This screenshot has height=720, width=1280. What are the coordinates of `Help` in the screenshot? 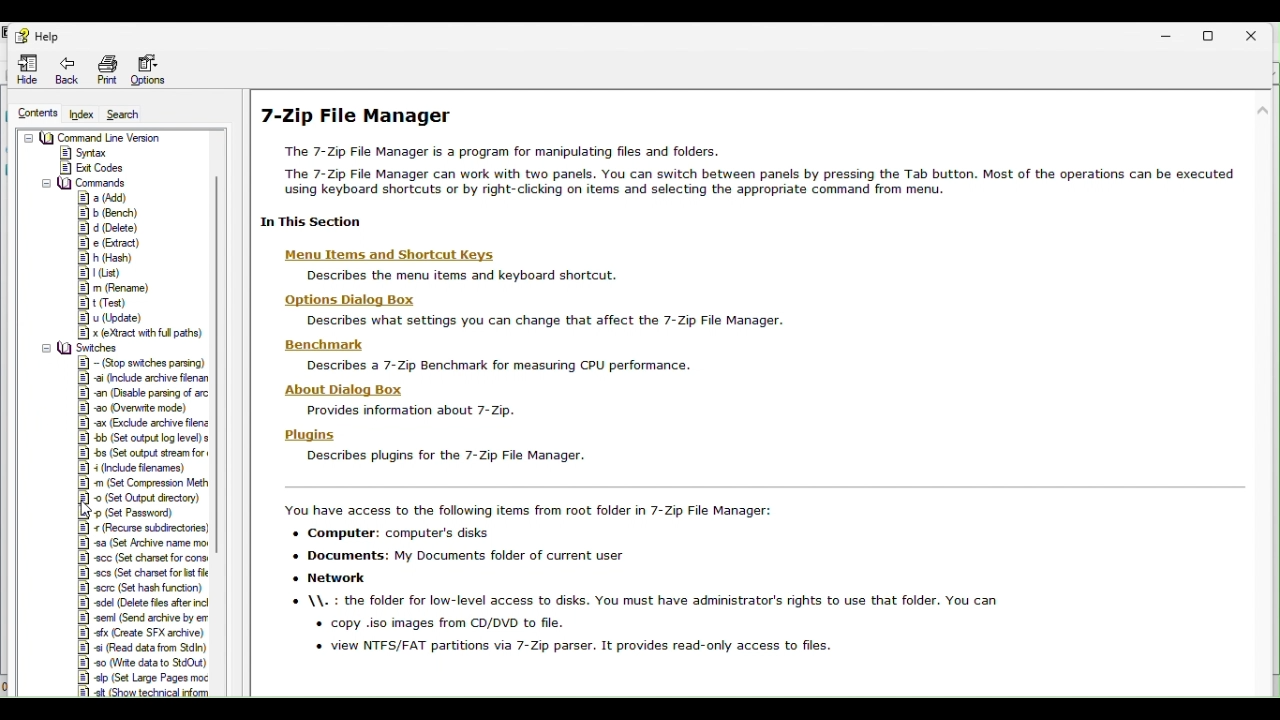 It's located at (39, 33).